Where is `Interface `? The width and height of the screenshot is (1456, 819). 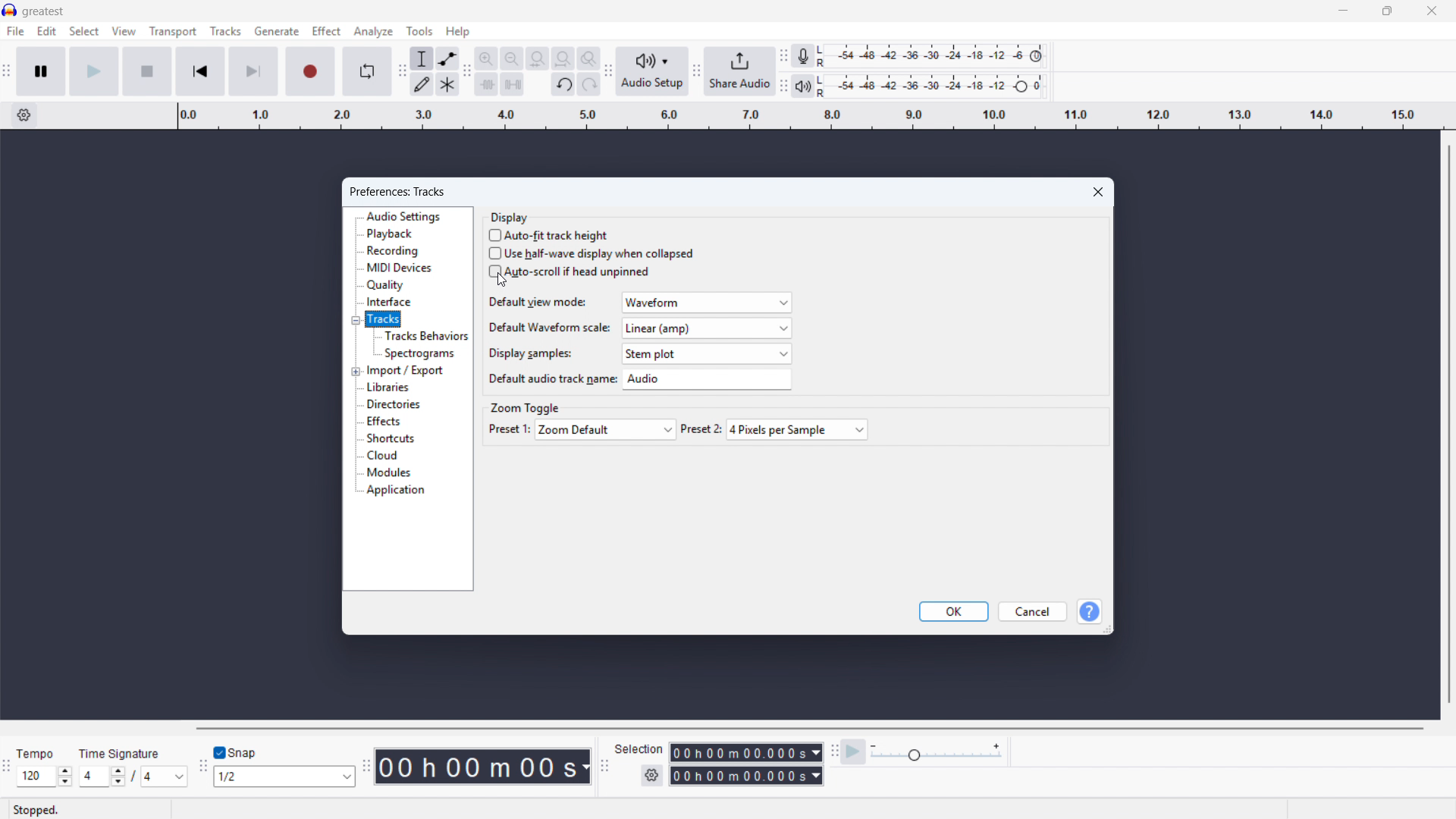
Interface  is located at coordinates (390, 302).